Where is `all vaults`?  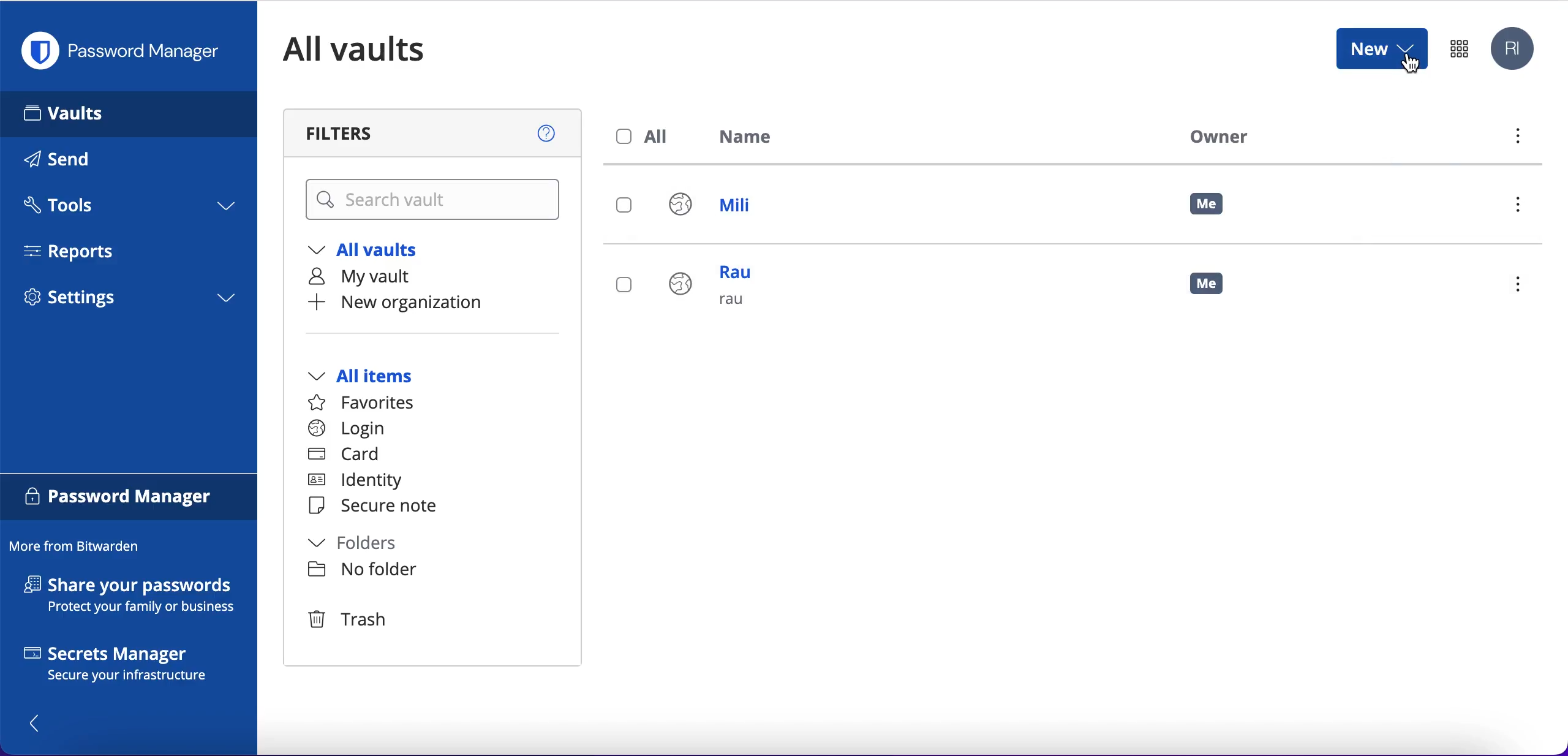 all vaults is located at coordinates (372, 49).